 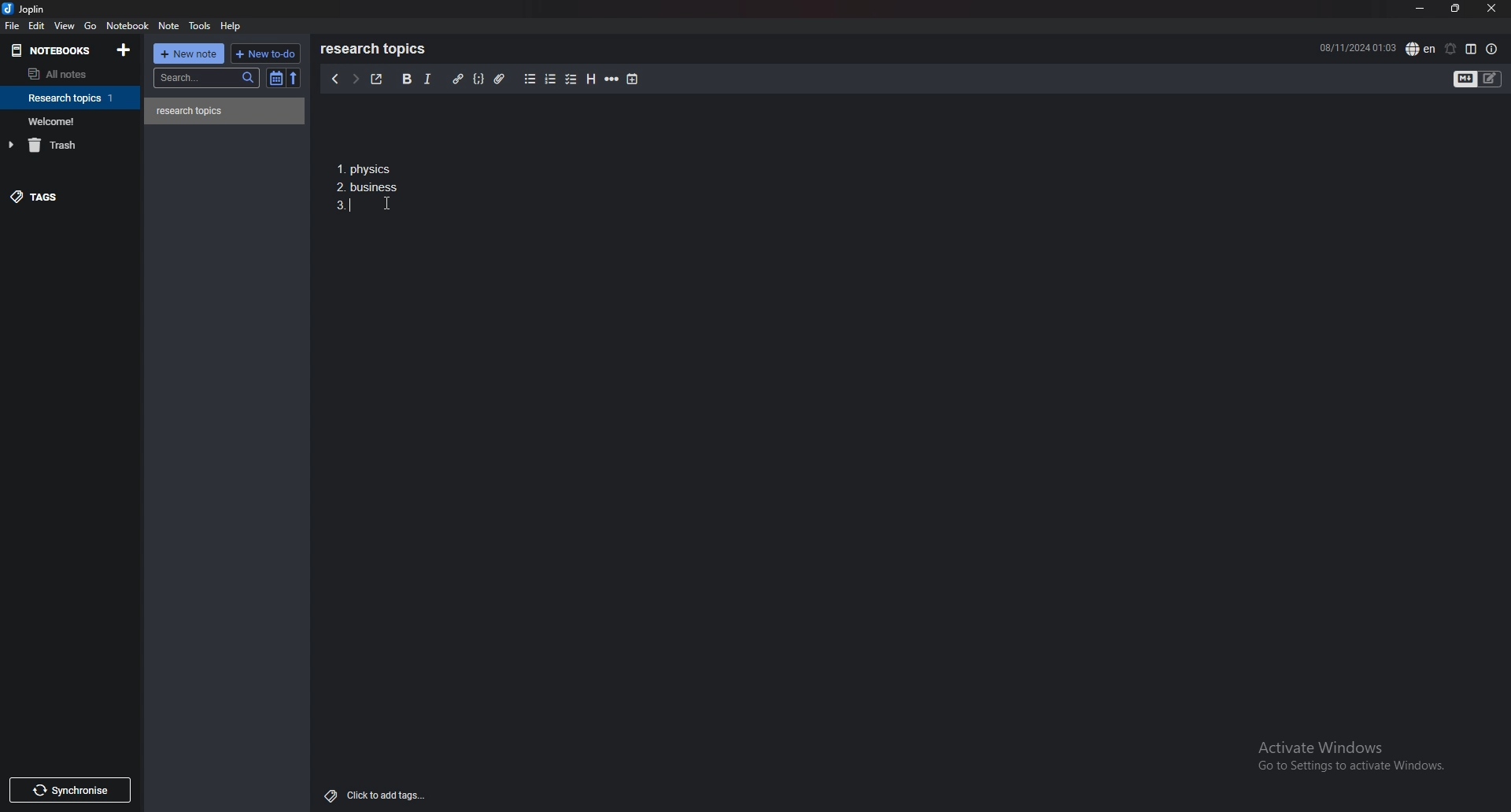 What do you see at coordinates (129, 26) in the screenshot?
I see `notebook` at bounding box center [129, 26].